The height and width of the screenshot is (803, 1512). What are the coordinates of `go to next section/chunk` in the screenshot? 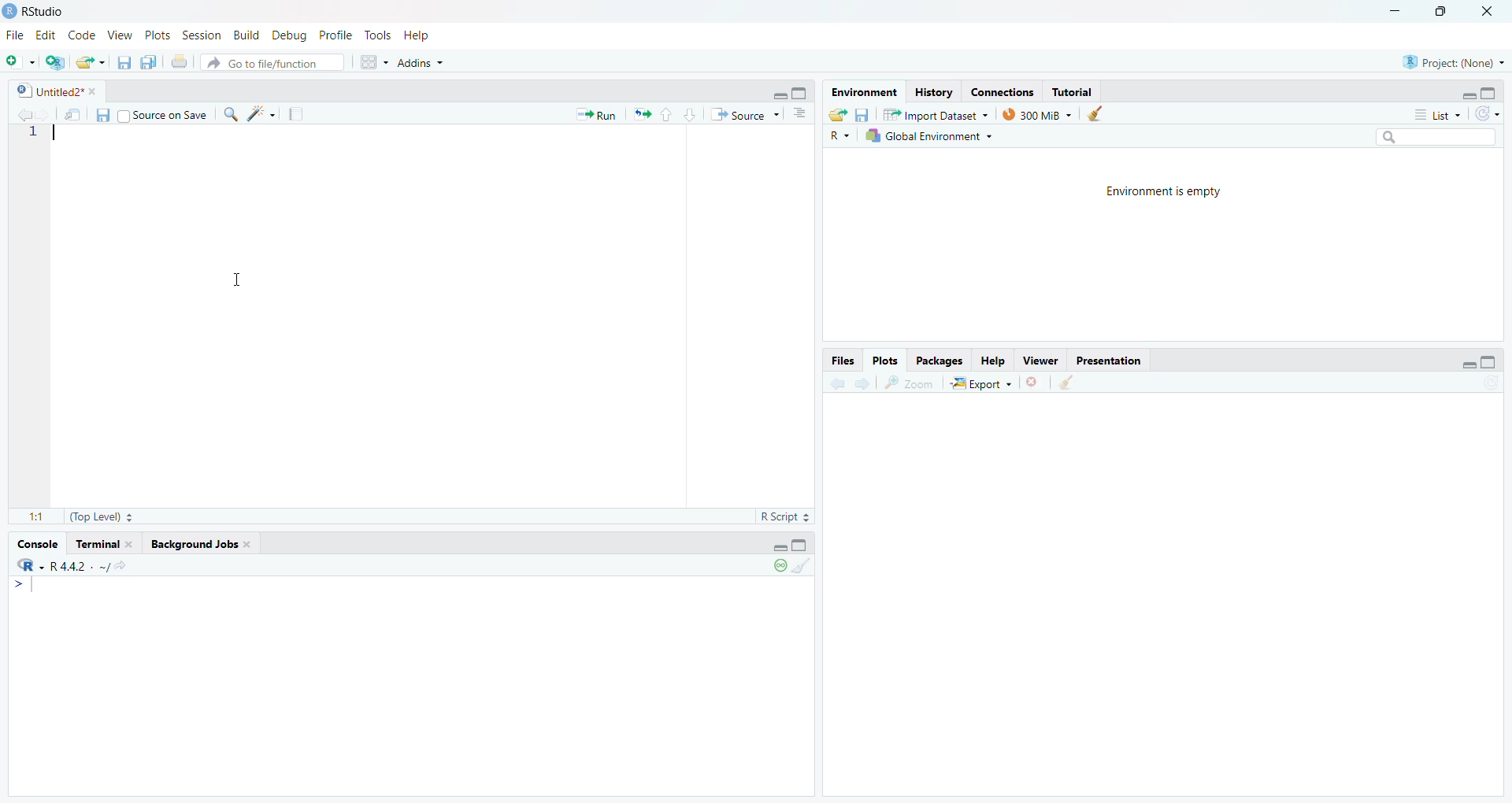 It's located at (688, 116).